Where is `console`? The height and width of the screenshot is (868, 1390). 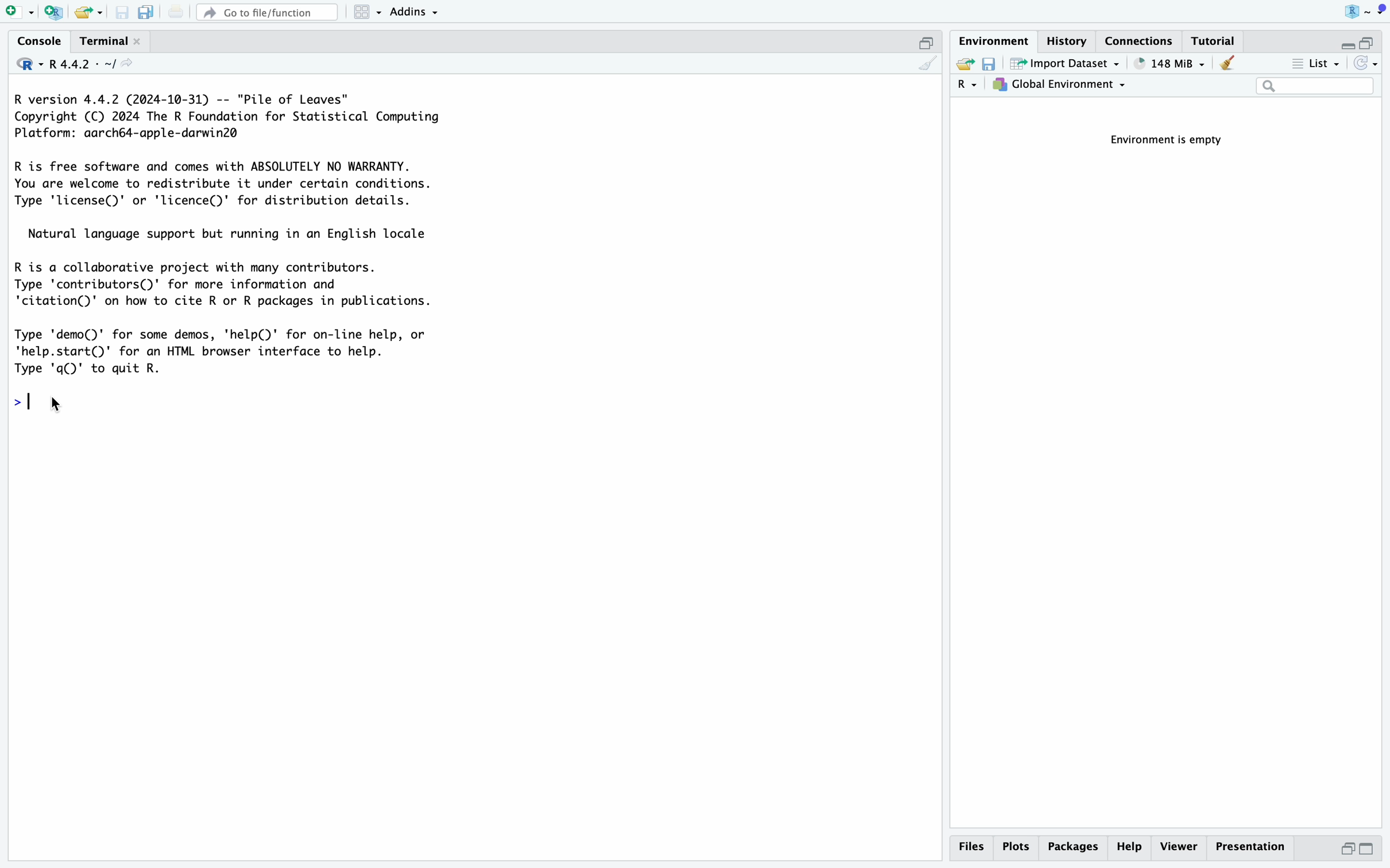 console is located at coordinates (34, 40).